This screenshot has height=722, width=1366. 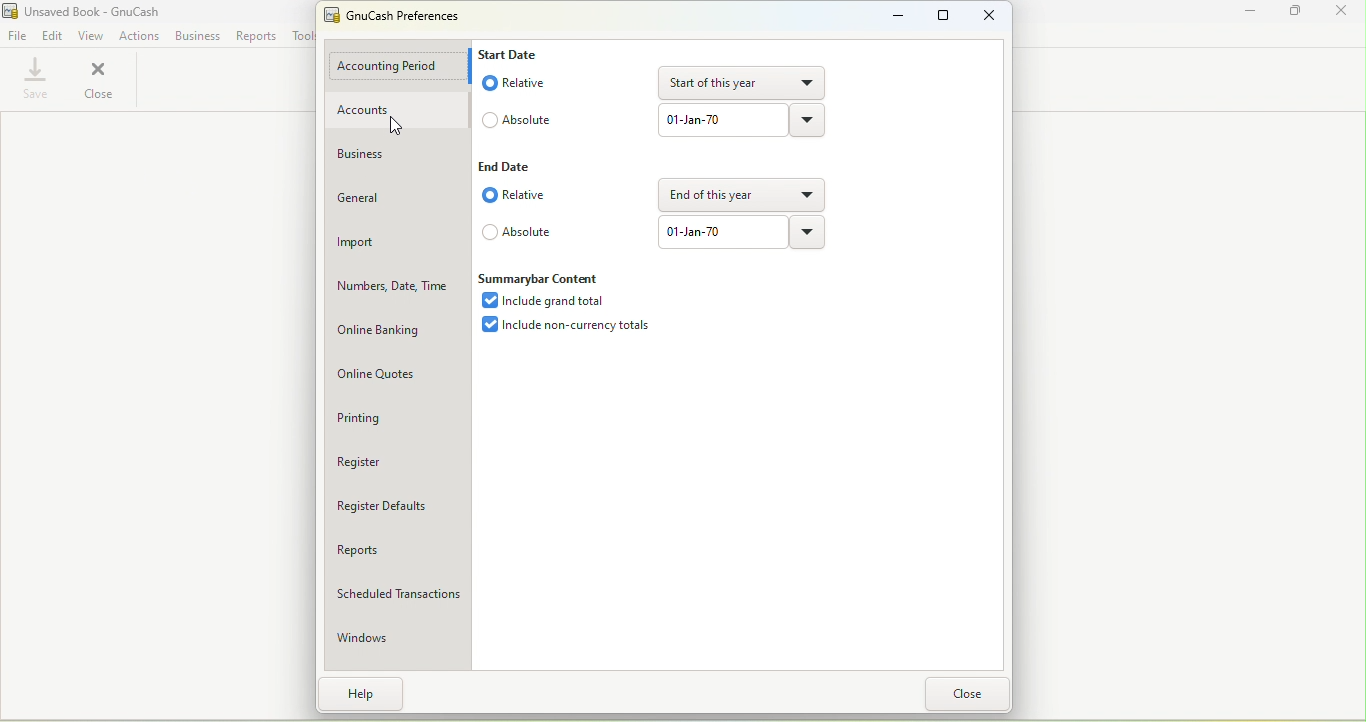 I want to click on Relative, so click(x=516, y=83).